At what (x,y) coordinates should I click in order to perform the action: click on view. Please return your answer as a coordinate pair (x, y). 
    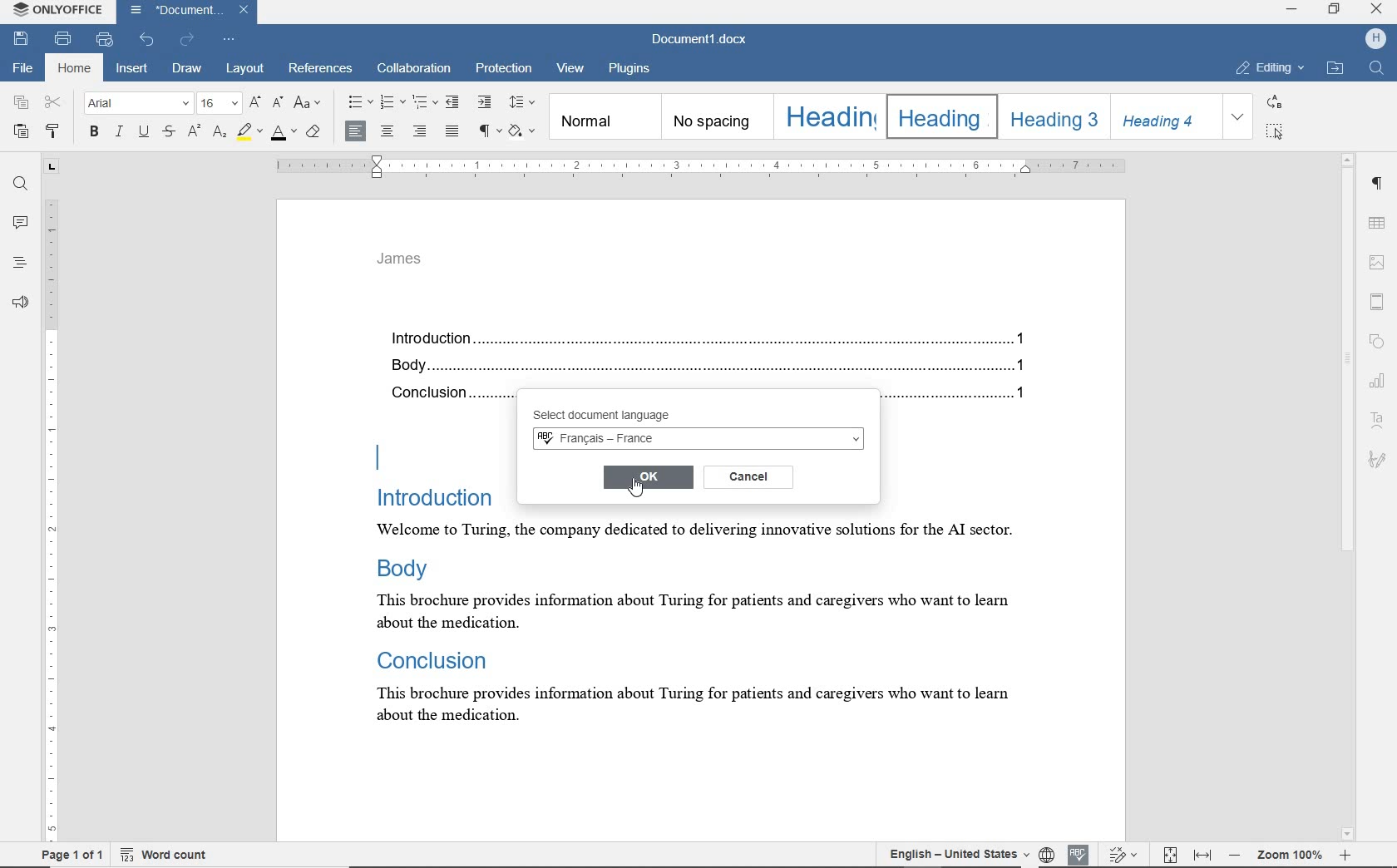
    Looking at the image, I should click on (573, 71).